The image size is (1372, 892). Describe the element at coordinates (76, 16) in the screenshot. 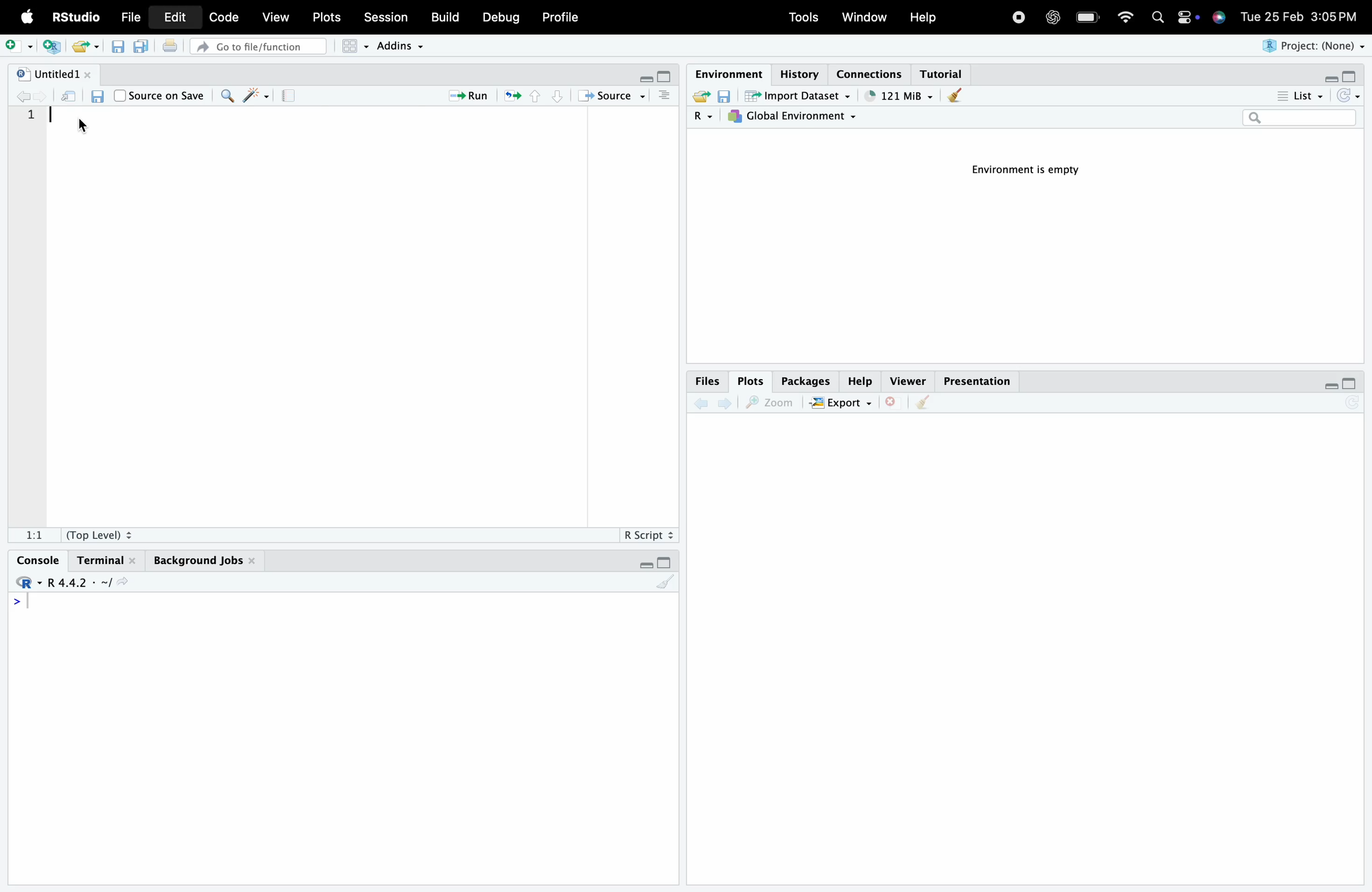

I see `RStudio` at that location.